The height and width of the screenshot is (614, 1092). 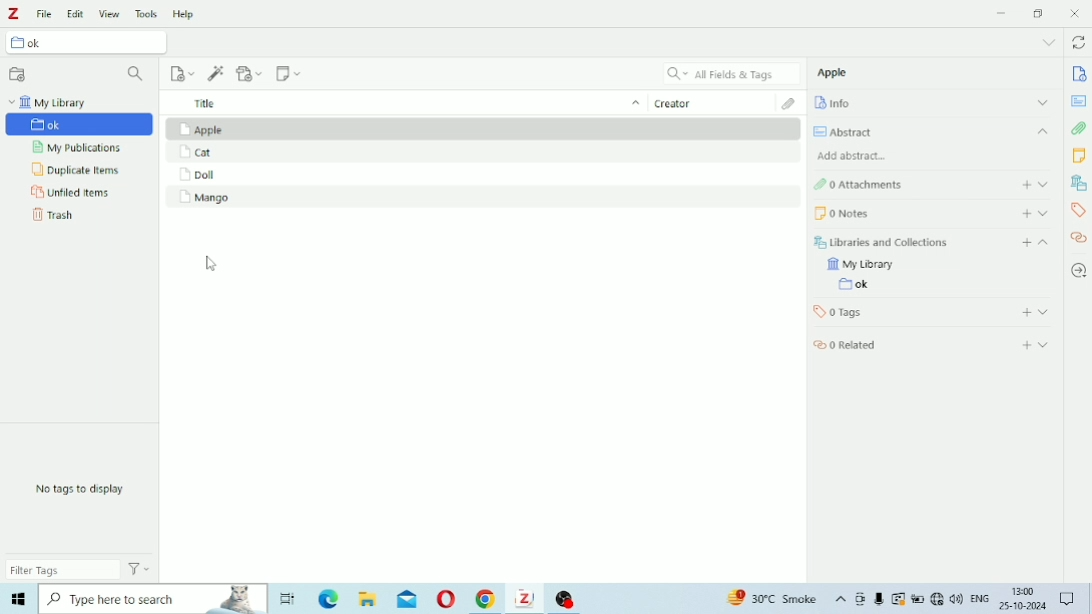 I want to click on New Collection, so click(x=19, y=73).